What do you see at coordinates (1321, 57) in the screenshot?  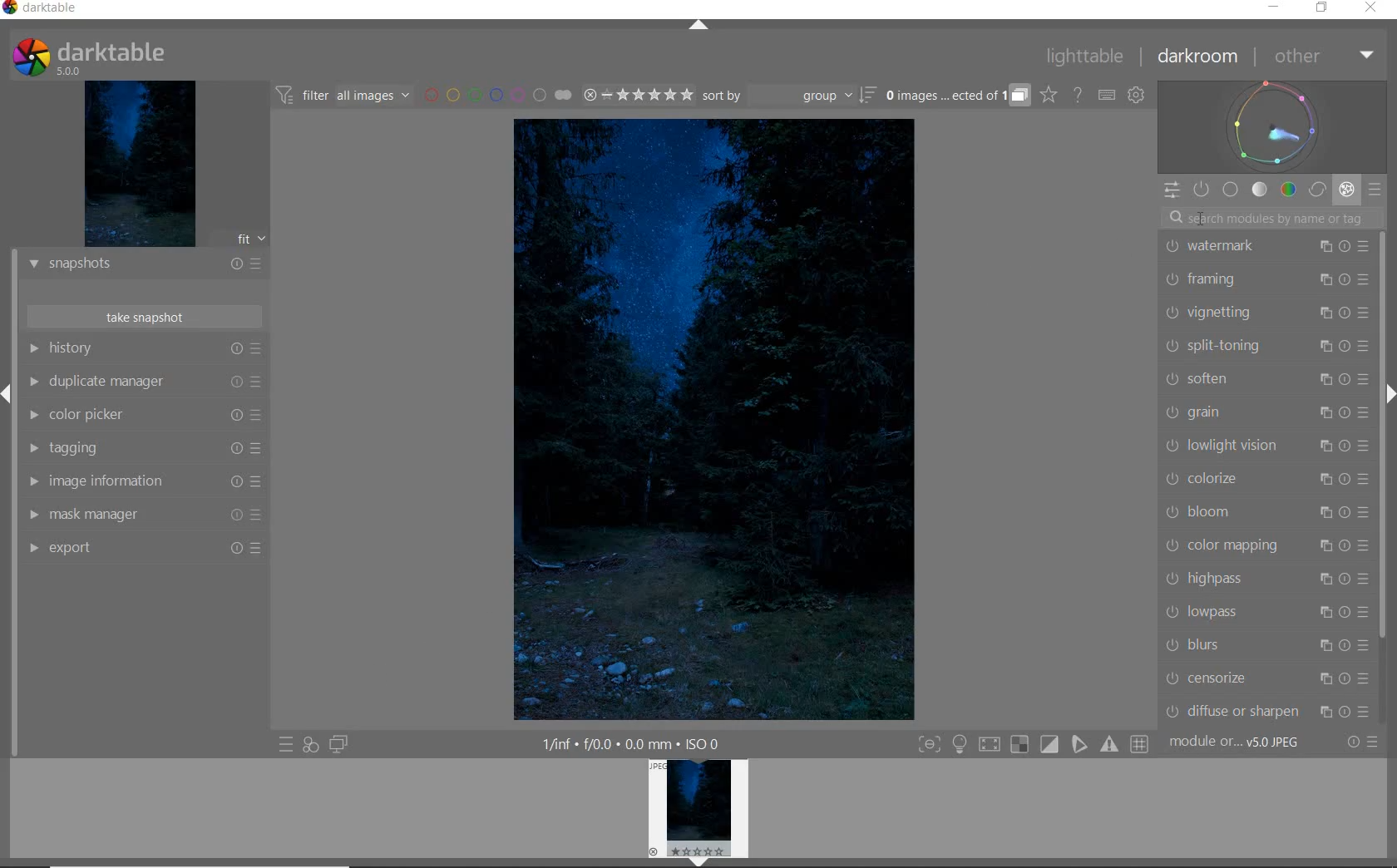 I see `OTHER` at bounding box center [1321, 57].